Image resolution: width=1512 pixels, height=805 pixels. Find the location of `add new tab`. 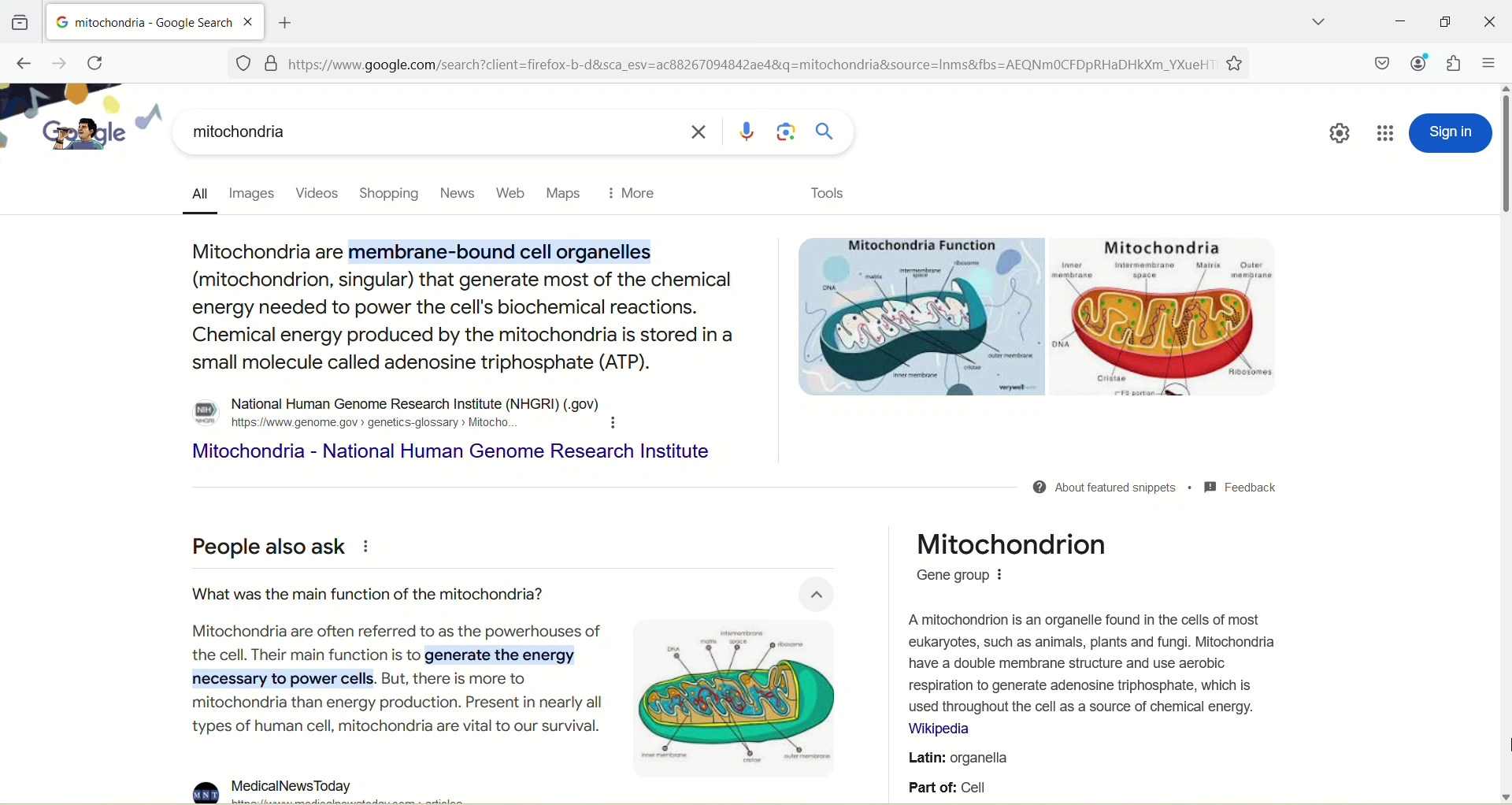

add new tab is located at coordinates (284, 20).